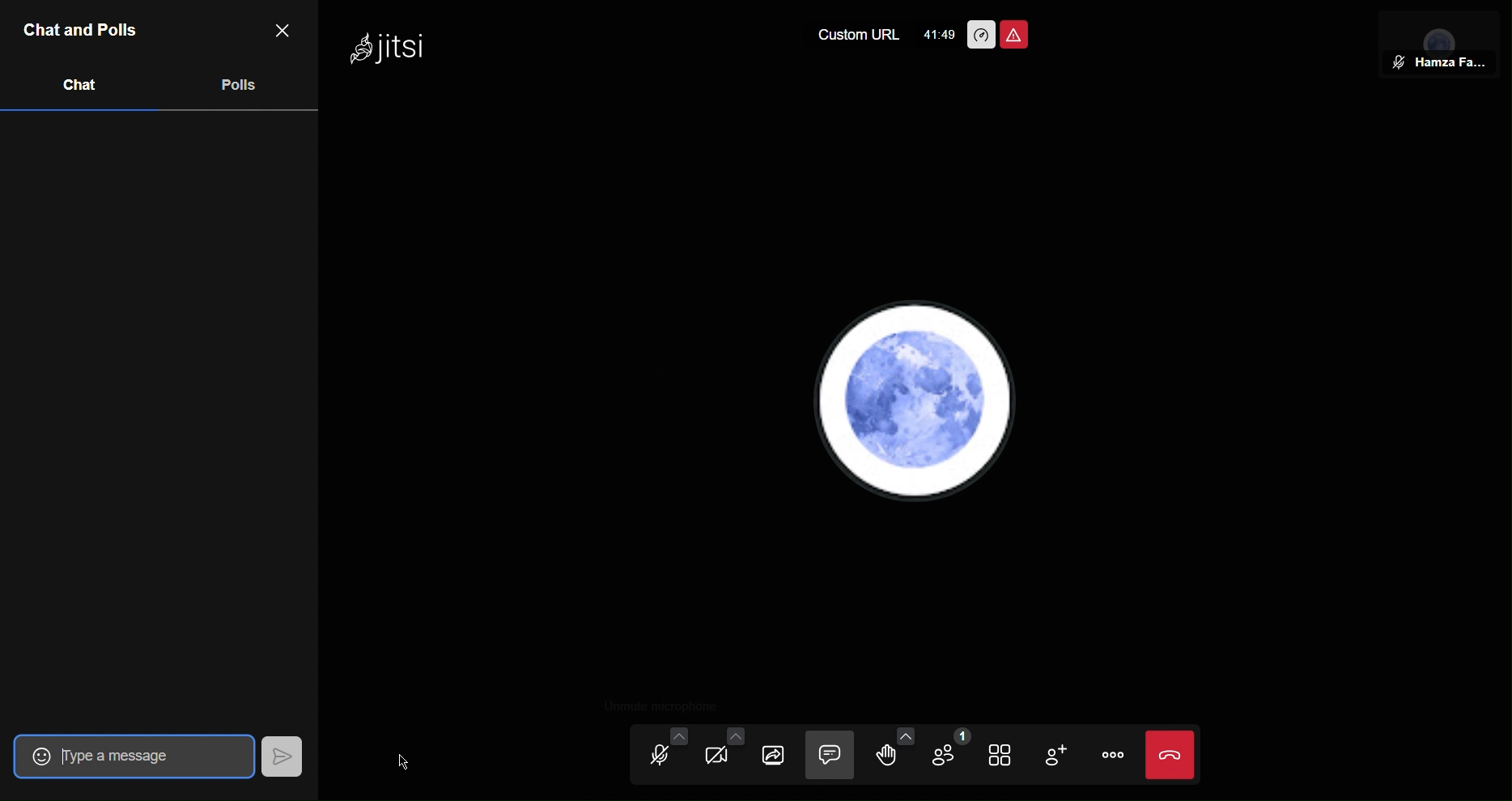  What do you see at coordinates (134, 756) in the screenshot?
I see `Type a message` at bounding box center [134, 756].